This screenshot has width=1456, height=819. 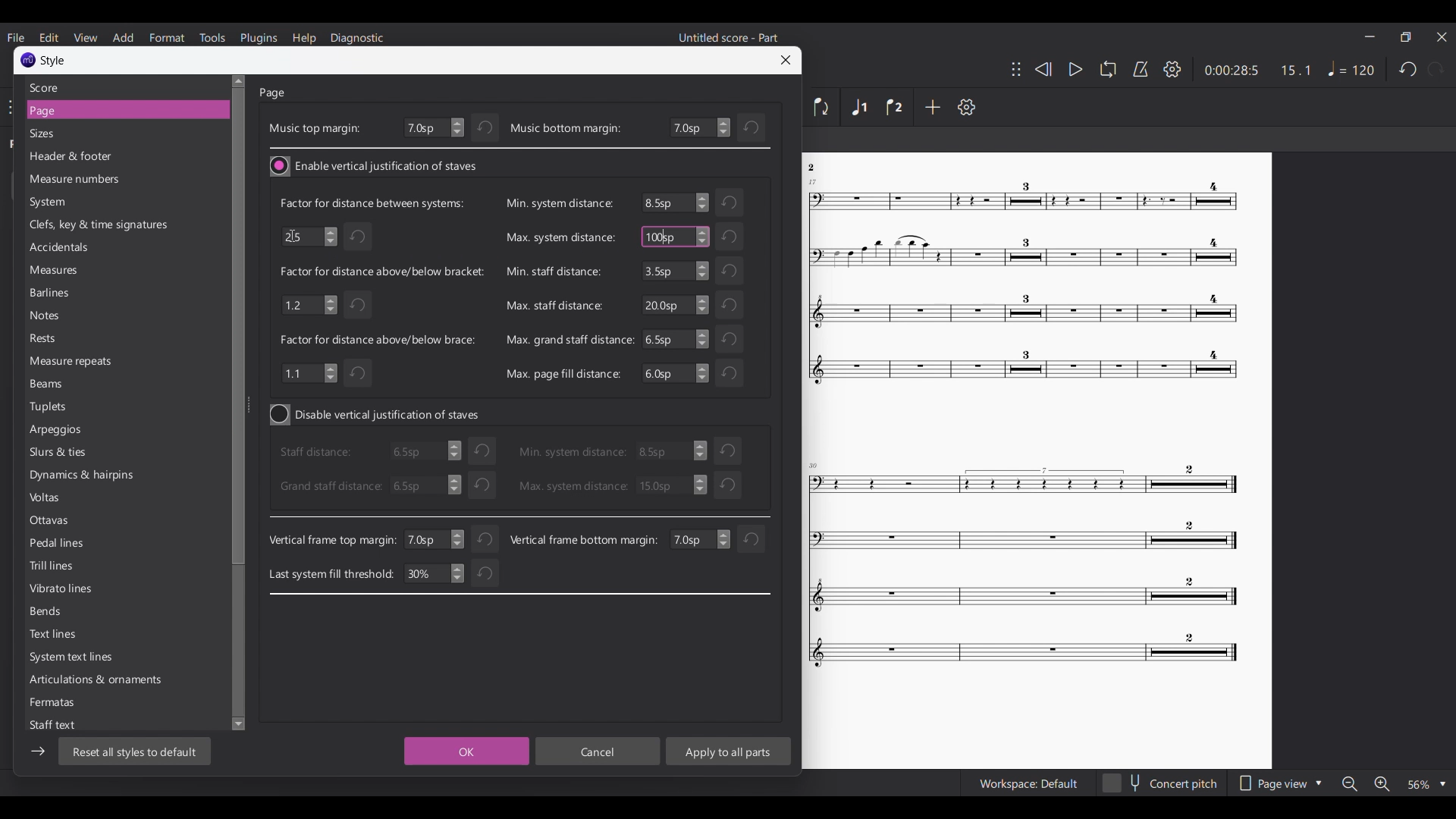 What do you see at coordinates (76, 659) in the screenshot?
I see `System text line` at bounding box center [76, 659].